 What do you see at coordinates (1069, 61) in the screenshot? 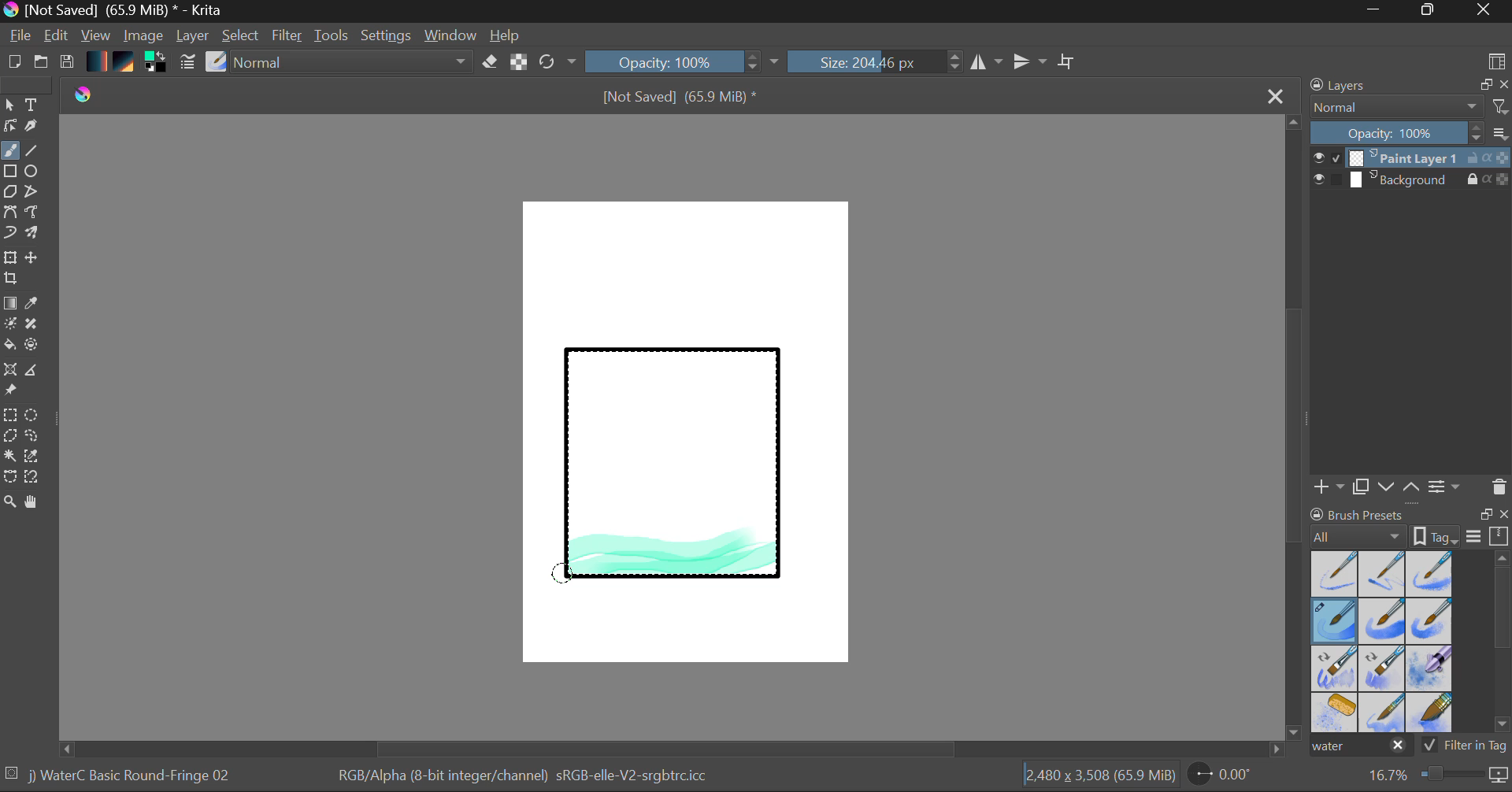
I see `Crop` at bounding box center [1069, 61].